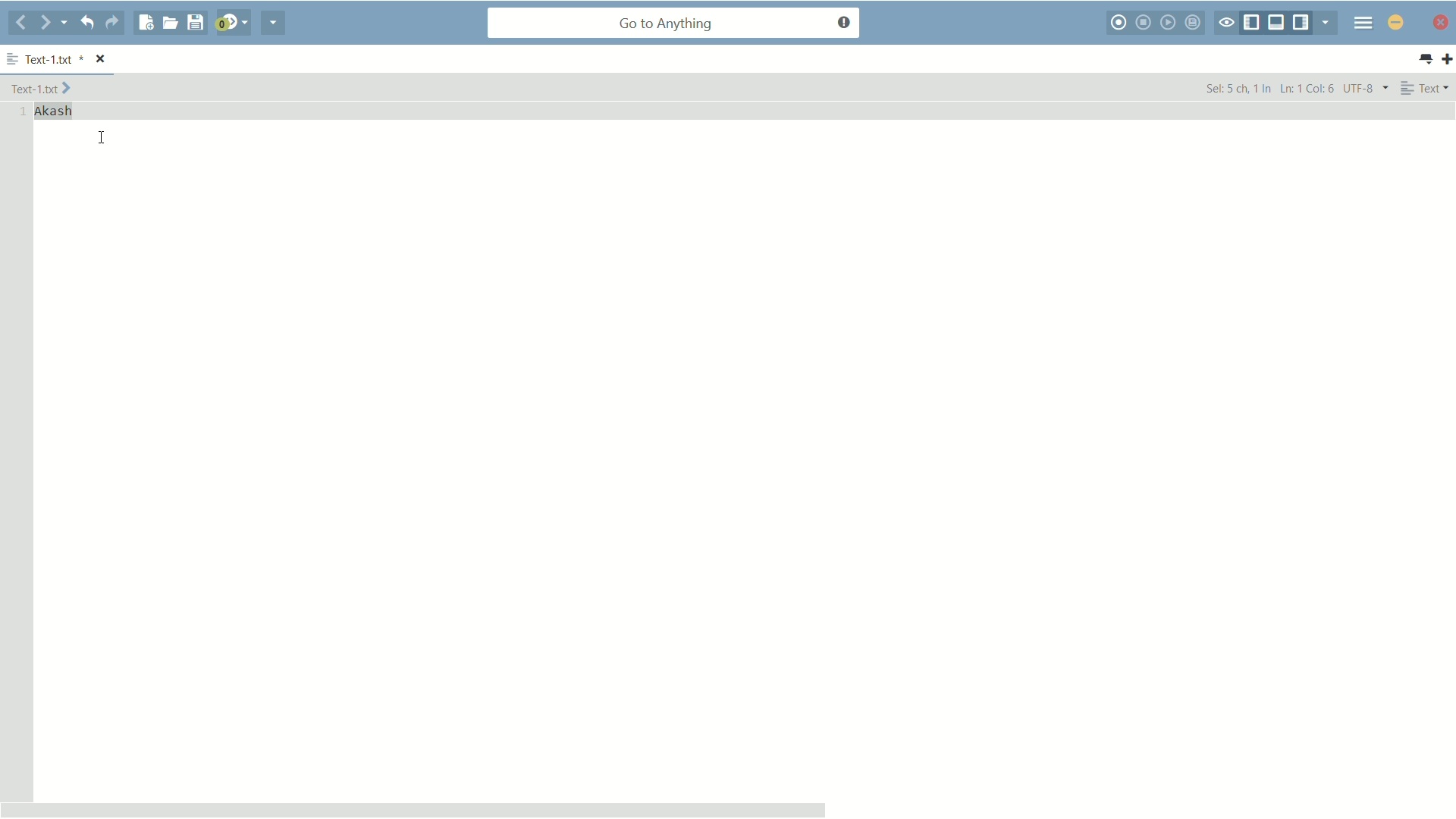  Describe the element at coordinates (1363, 22) in the screenshot. I see `menu` at that location.